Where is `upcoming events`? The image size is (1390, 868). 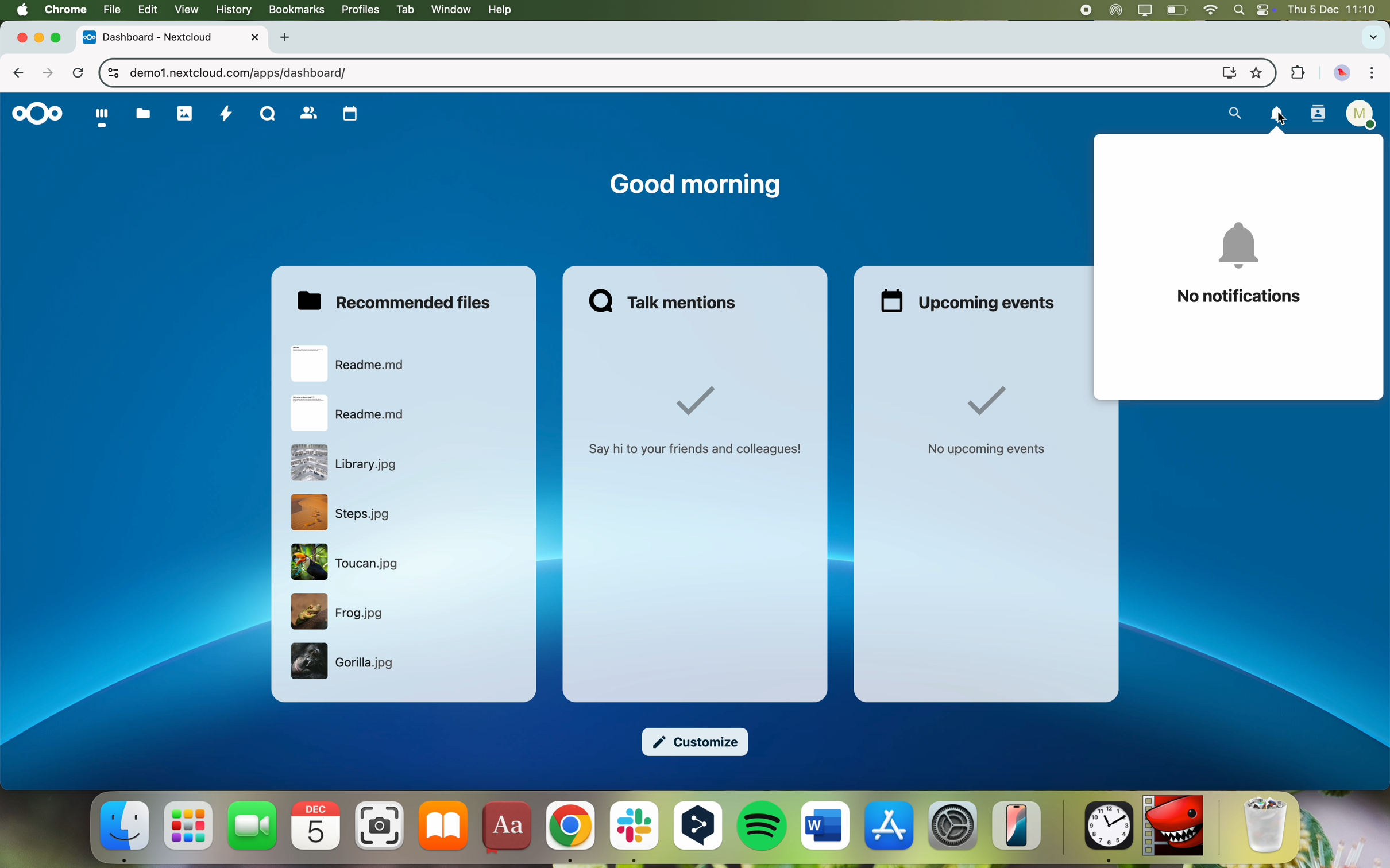 upcoming events is located at coordinates (970, 301).